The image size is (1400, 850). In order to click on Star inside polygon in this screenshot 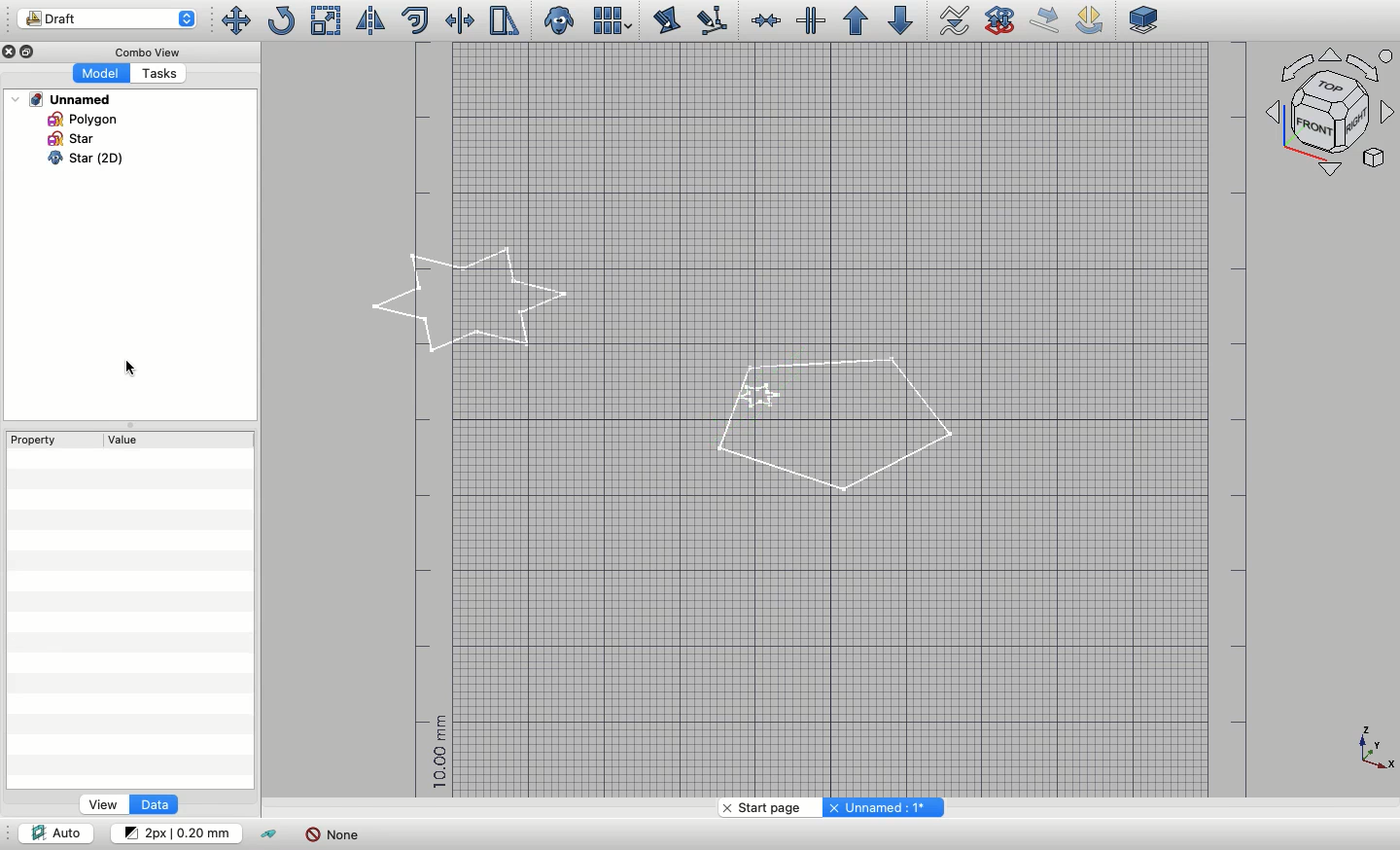, I will do `click(828, 423)`.